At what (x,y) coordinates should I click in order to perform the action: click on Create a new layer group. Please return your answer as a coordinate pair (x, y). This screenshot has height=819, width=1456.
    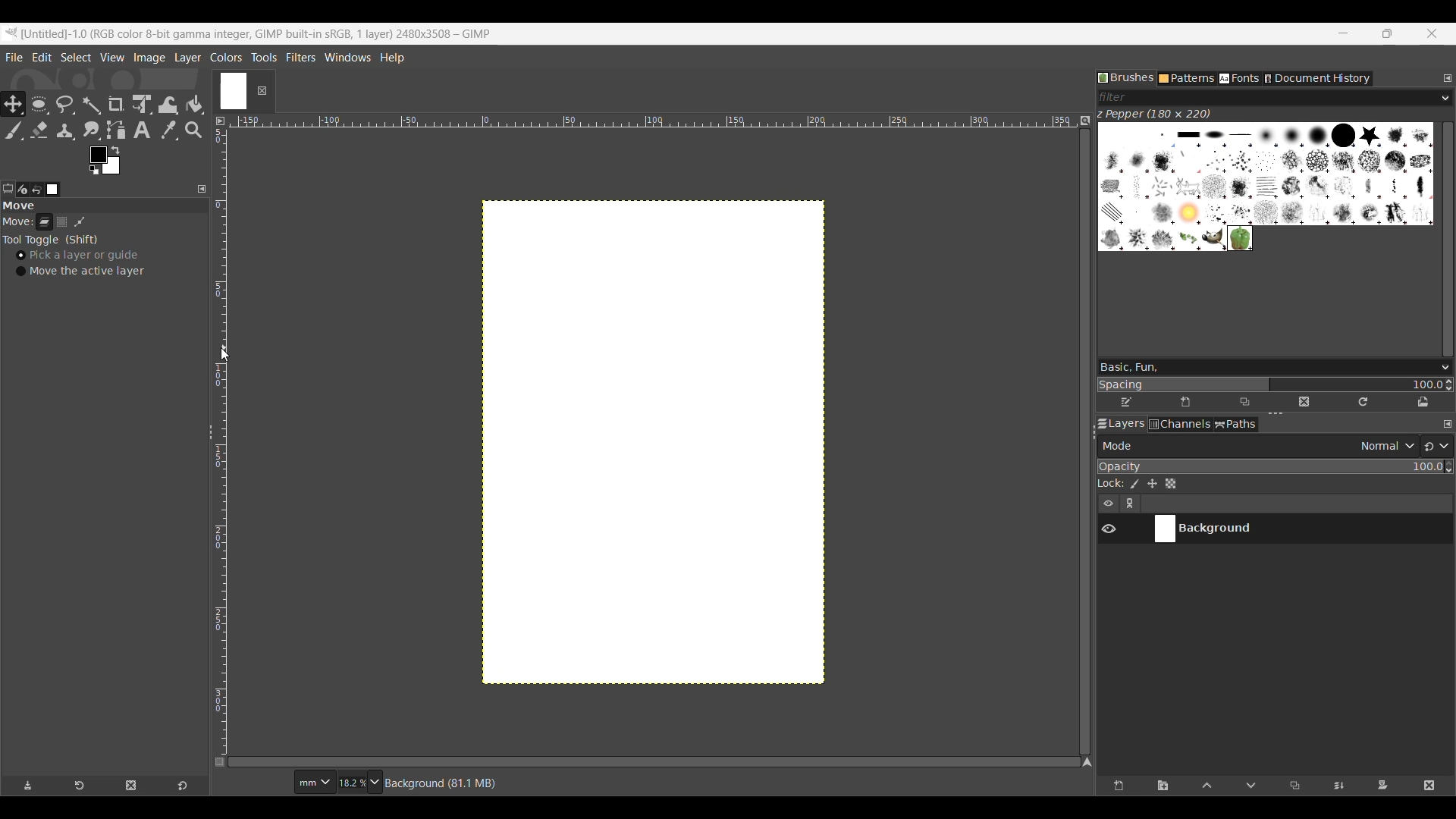
    Looking at the image, I should click on (1164, 786).